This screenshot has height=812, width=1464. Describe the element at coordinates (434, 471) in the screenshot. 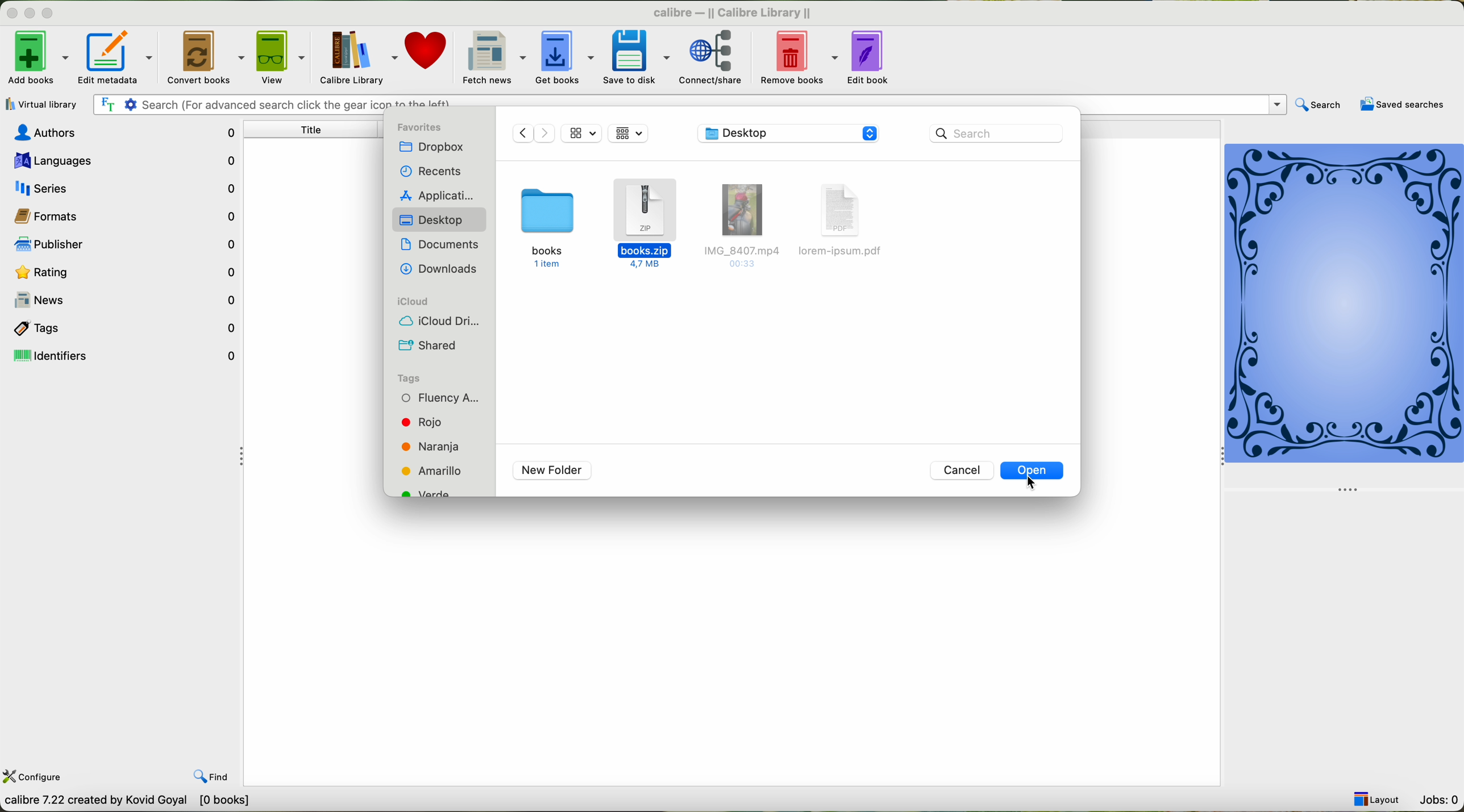

I see `yellow tag` at that location.